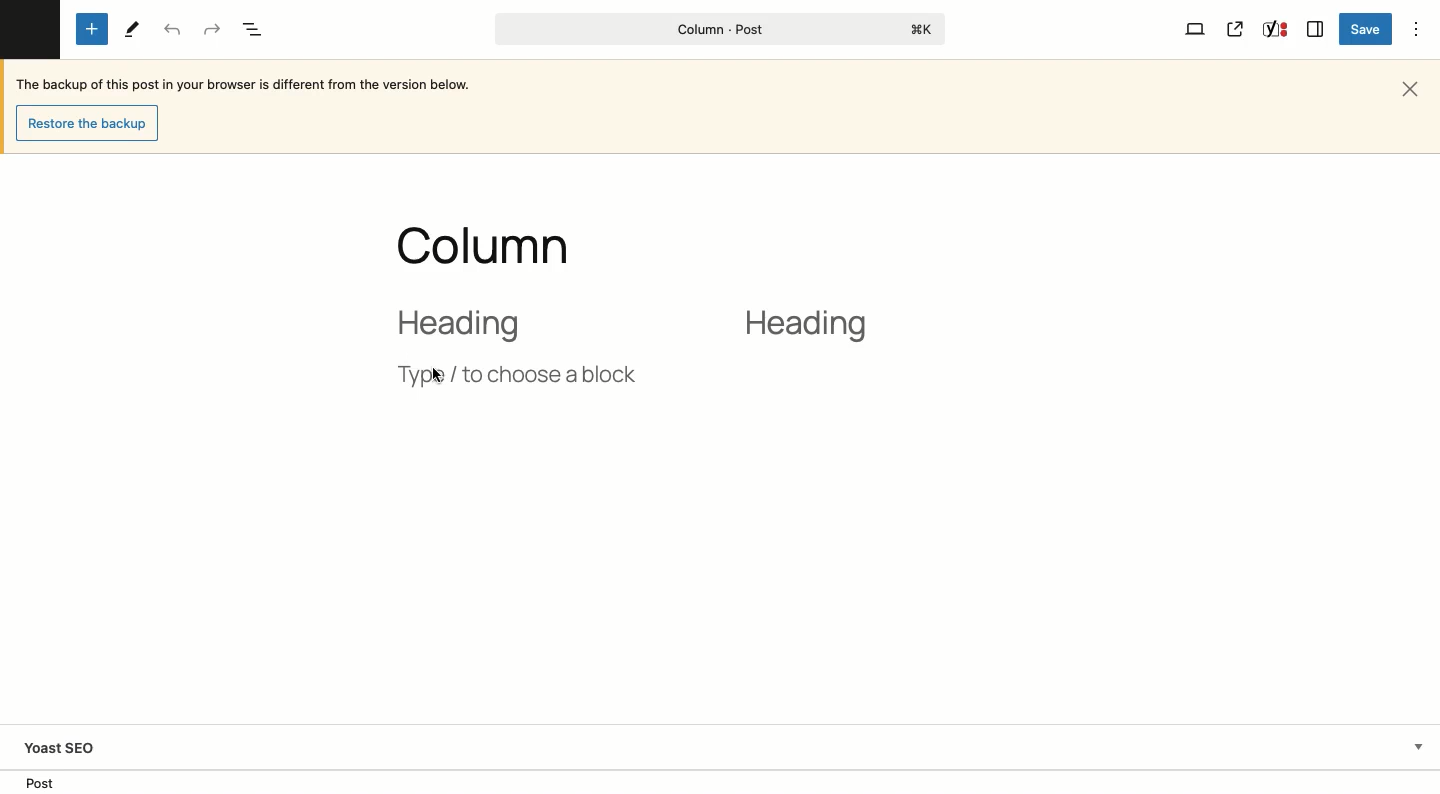 The image size is (1440, 794). Describe the element at coordinates (1368, 30) in the screenshot. I see `Save` at that location.